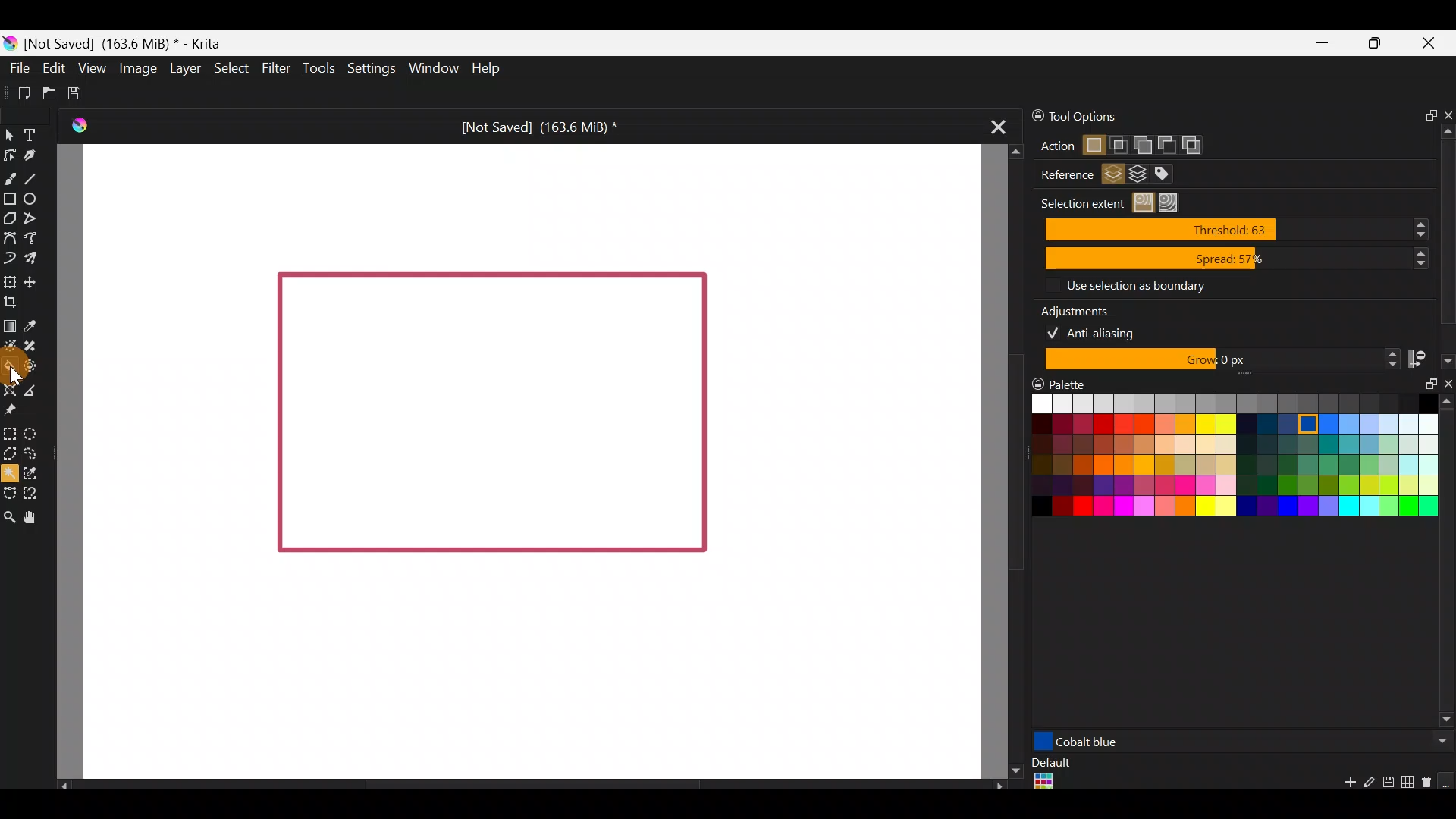  I want to click on Scroll button, so click(1439, 741).